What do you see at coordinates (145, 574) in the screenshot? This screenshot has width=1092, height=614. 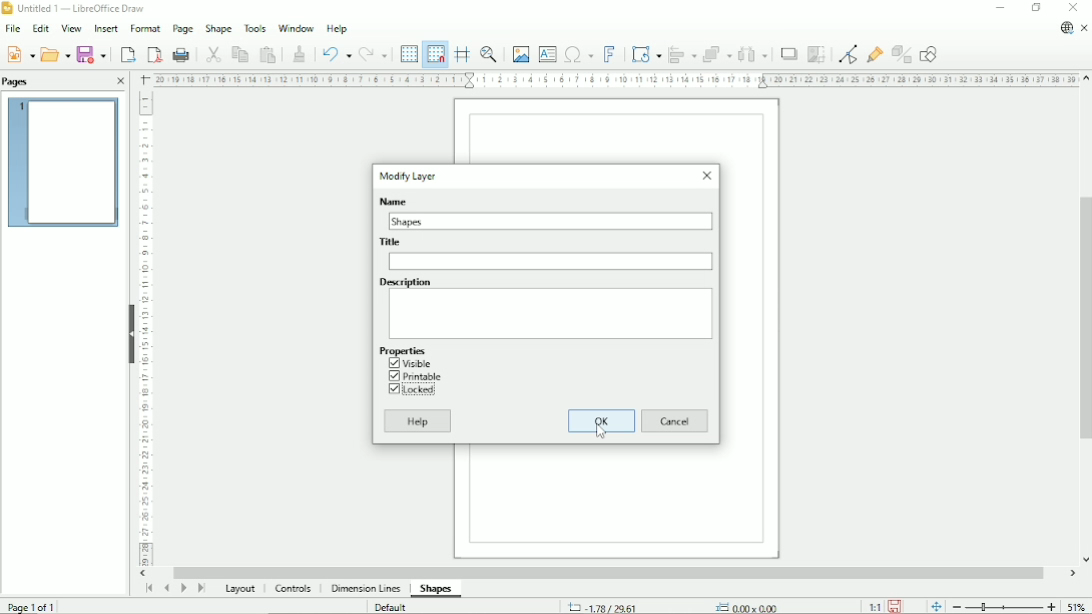 I see `Horizontal scroll button` at bounding box center [145, 574].